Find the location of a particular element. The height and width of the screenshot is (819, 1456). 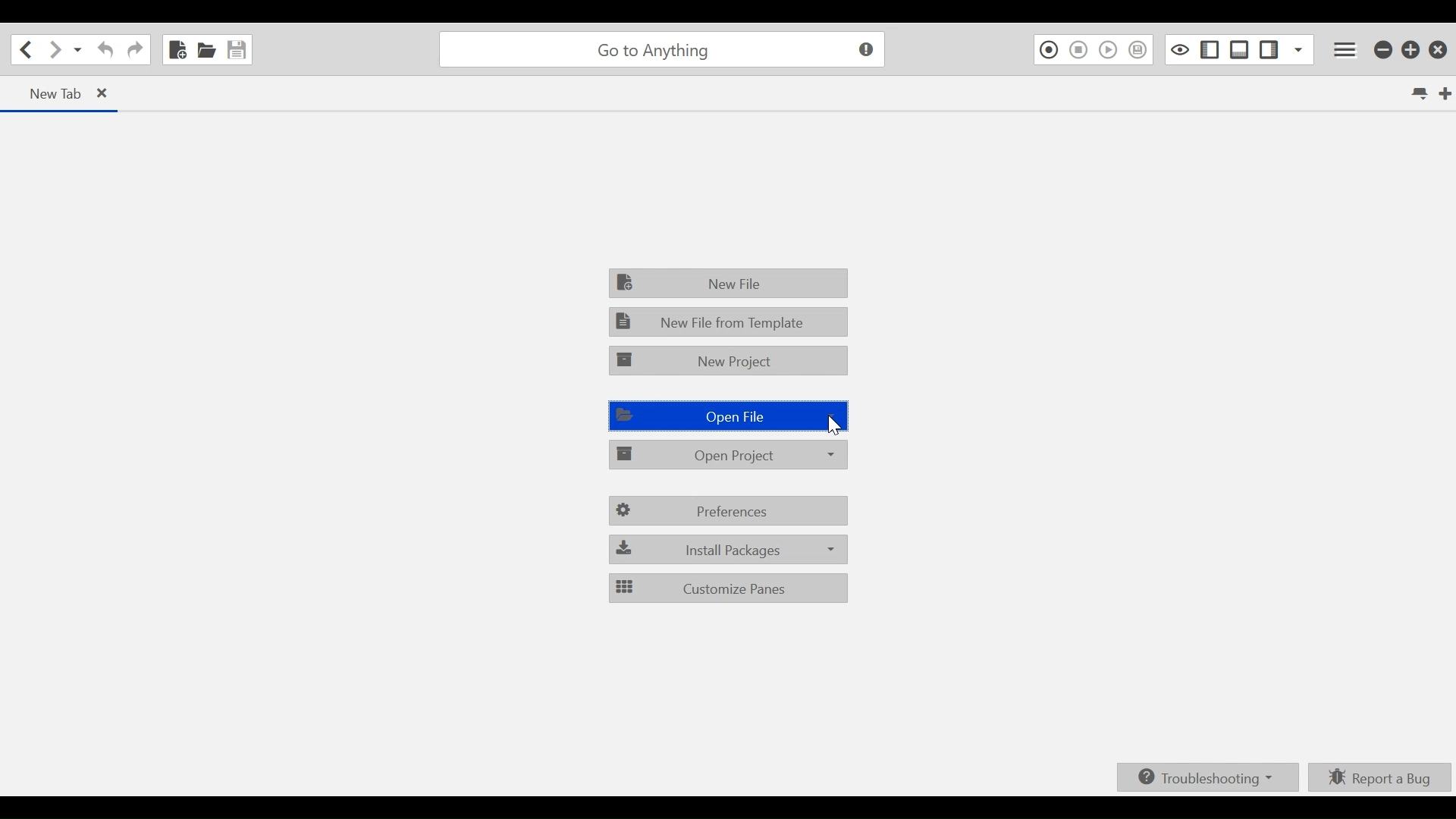

Customize Panes is located at coordinates (729, 588).